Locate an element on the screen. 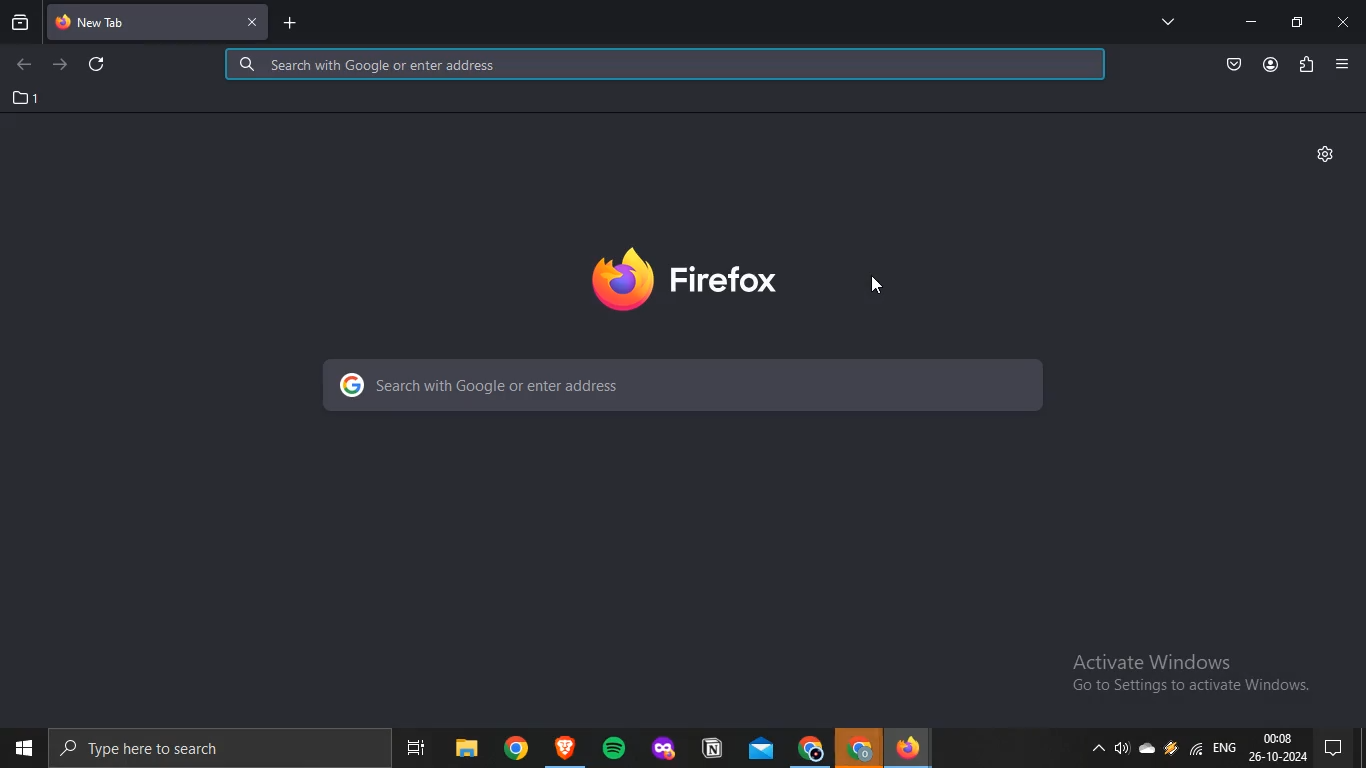 The height and width of the screenshot is (768, 1366). pointer cursor is located at coordinates (886, 290).